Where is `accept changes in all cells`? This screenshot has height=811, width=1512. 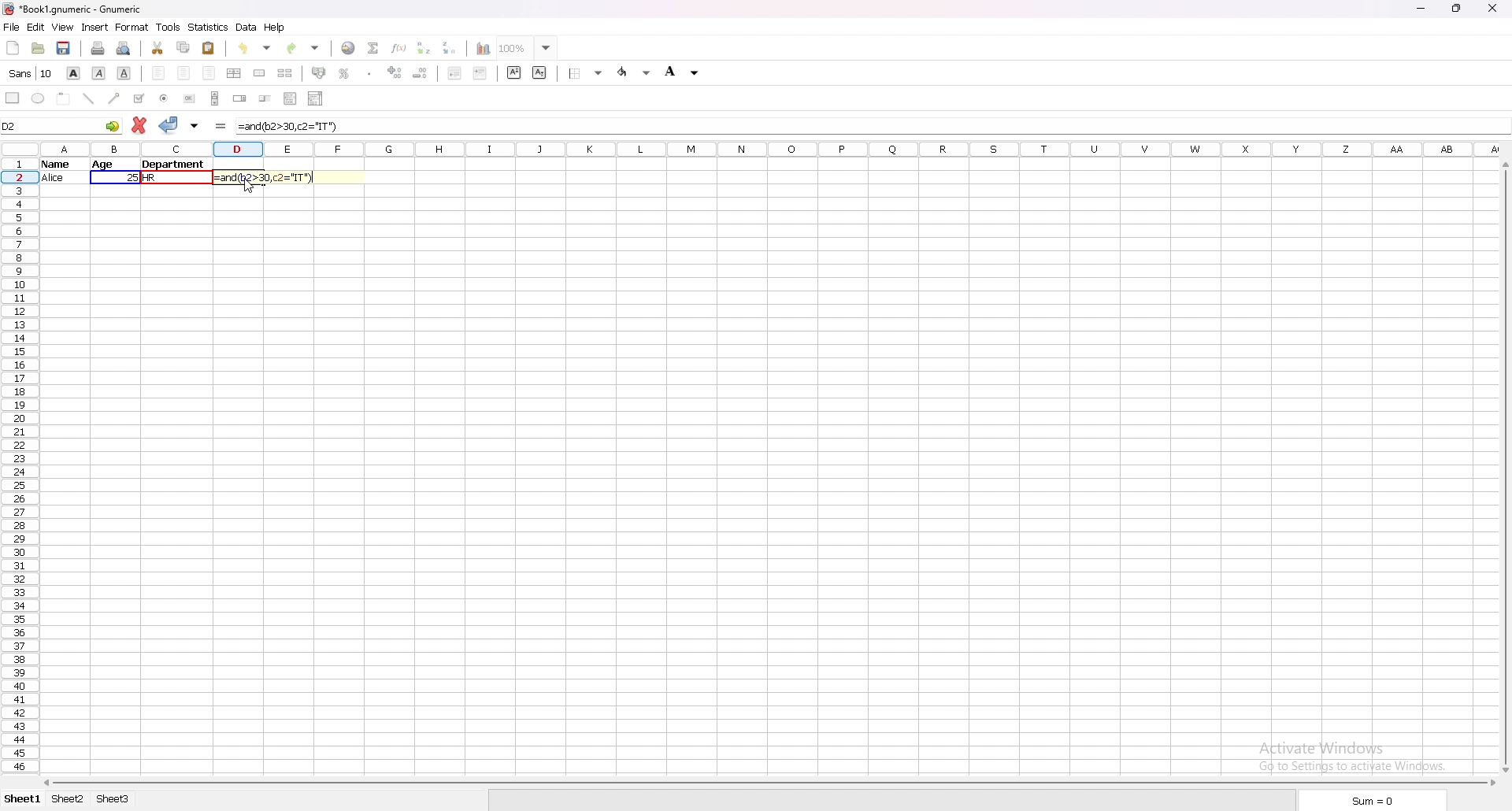
accept changes in all cells is located at coordinates (194, 126).